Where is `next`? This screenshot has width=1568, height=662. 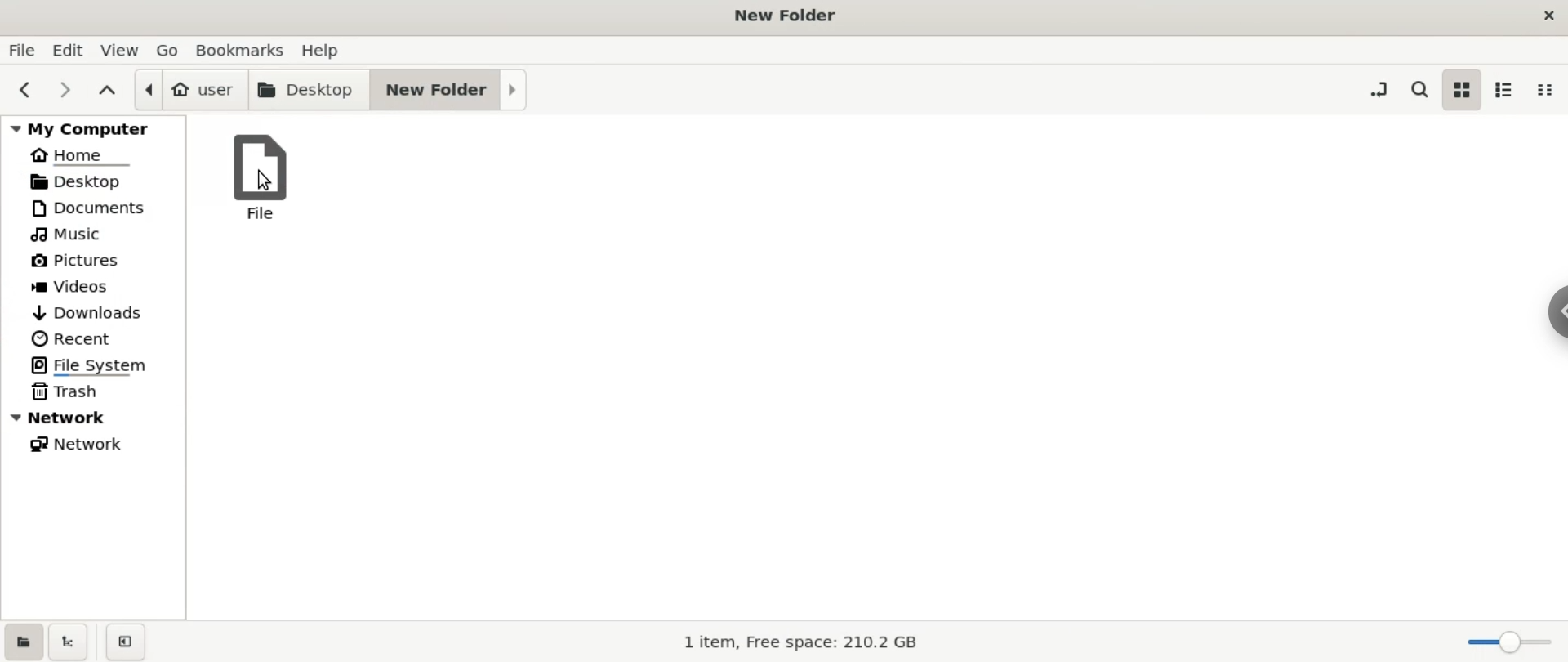
next is located at coordinates (63, 89).